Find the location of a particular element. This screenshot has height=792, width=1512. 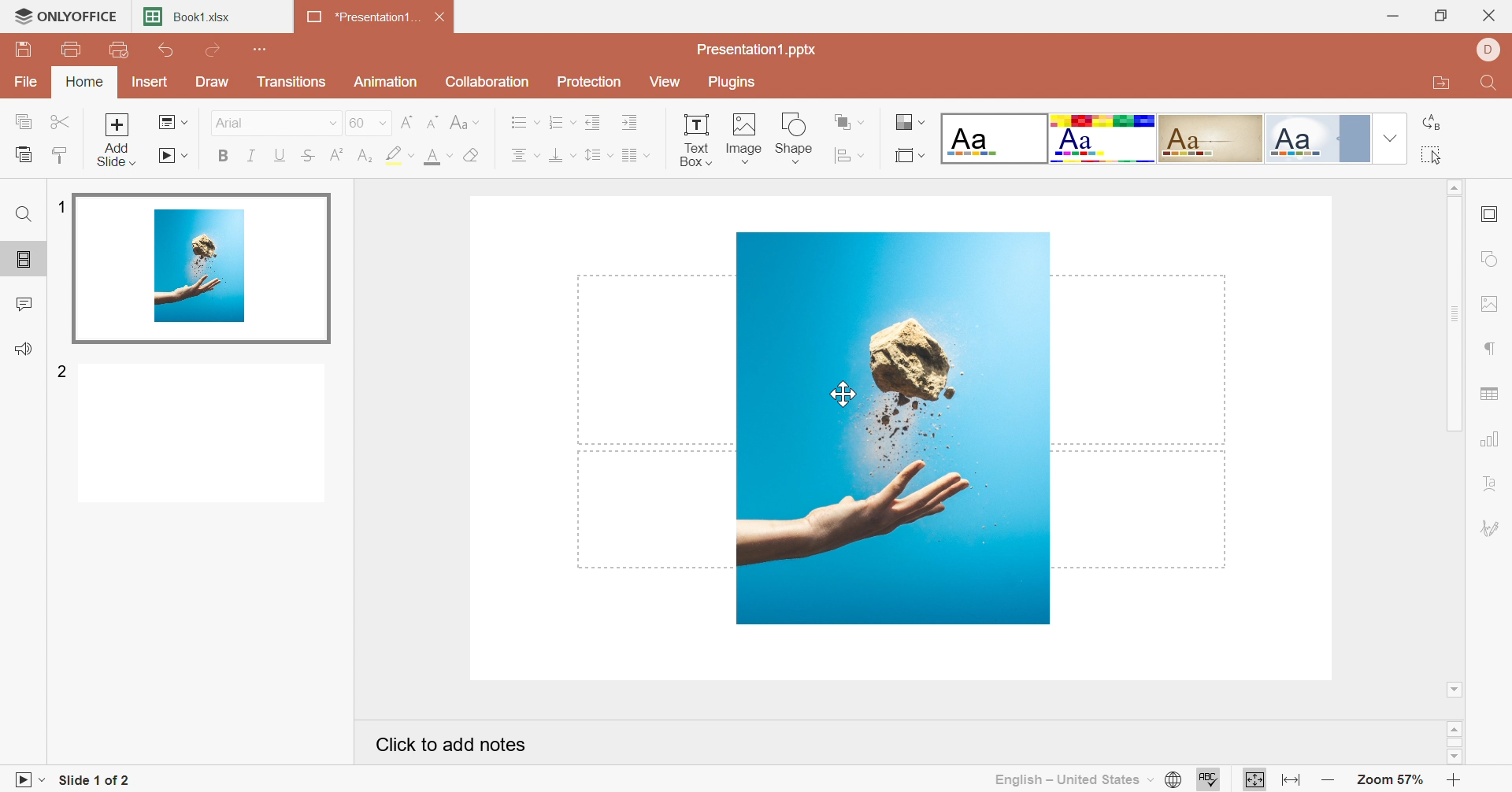

Line spacing is located at coordinates (599, 155).